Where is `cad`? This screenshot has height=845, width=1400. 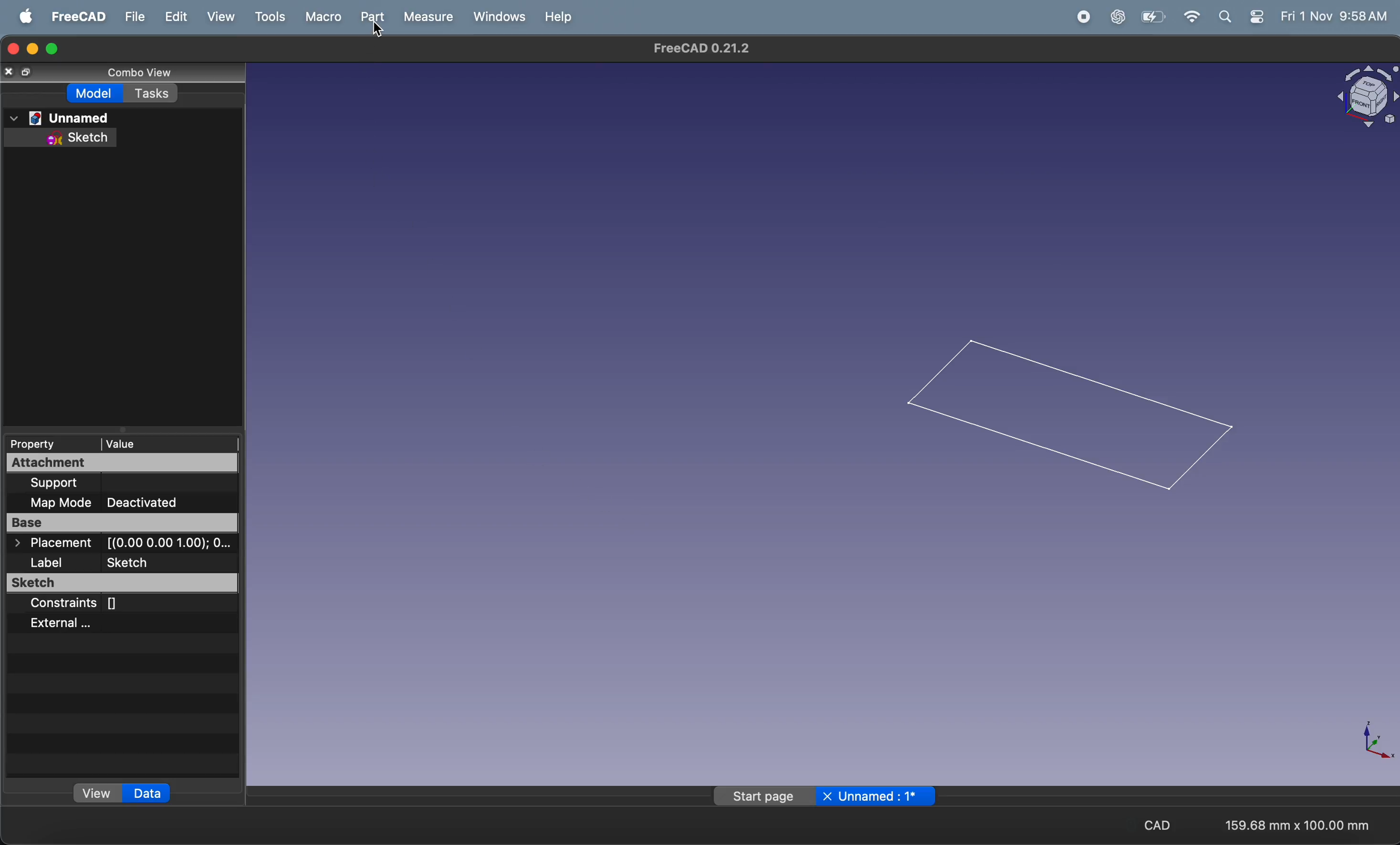
cad is located at coordinates (1153, 827).